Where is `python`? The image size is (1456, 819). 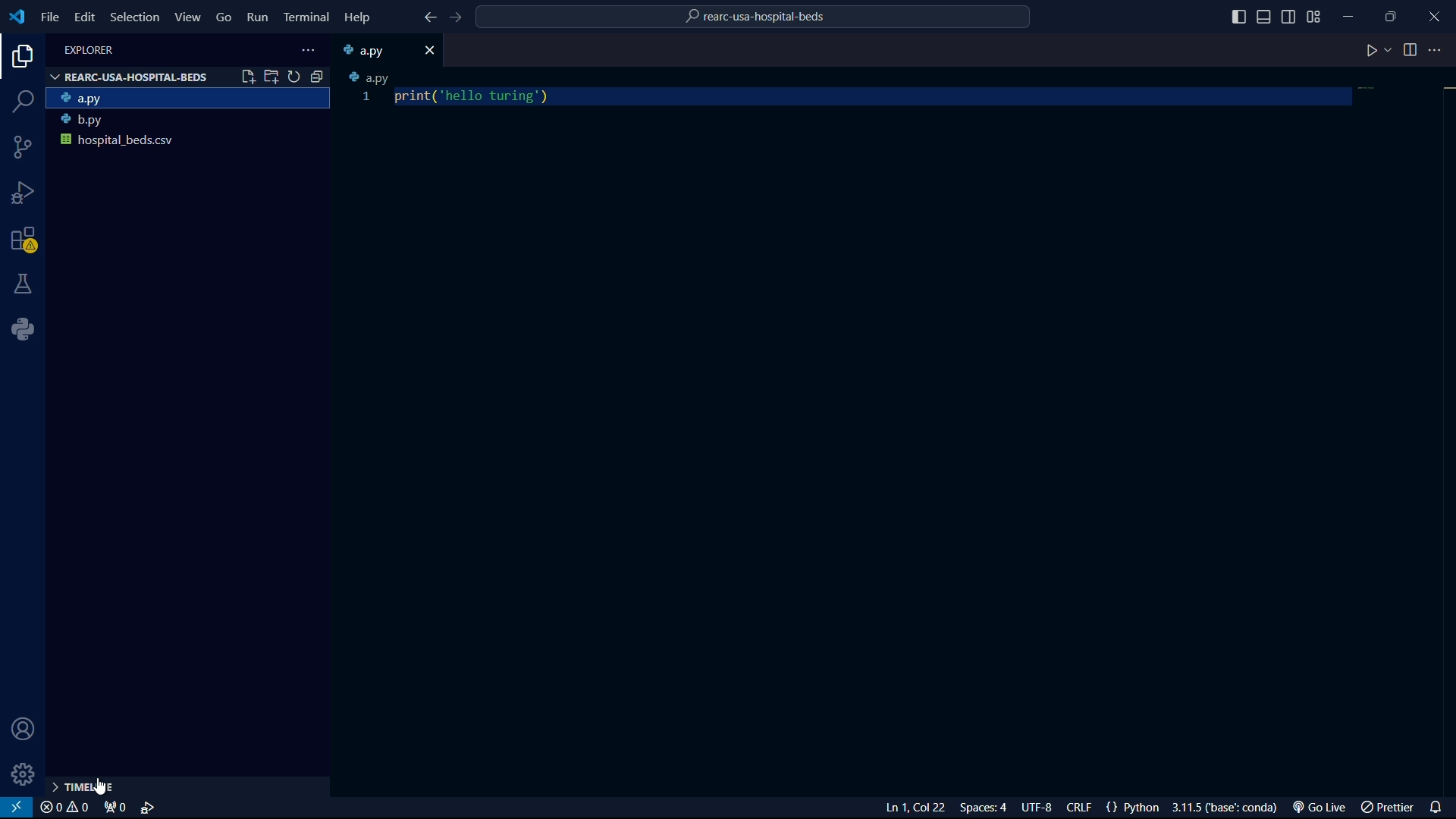
python is located at coordinates (23, 328).